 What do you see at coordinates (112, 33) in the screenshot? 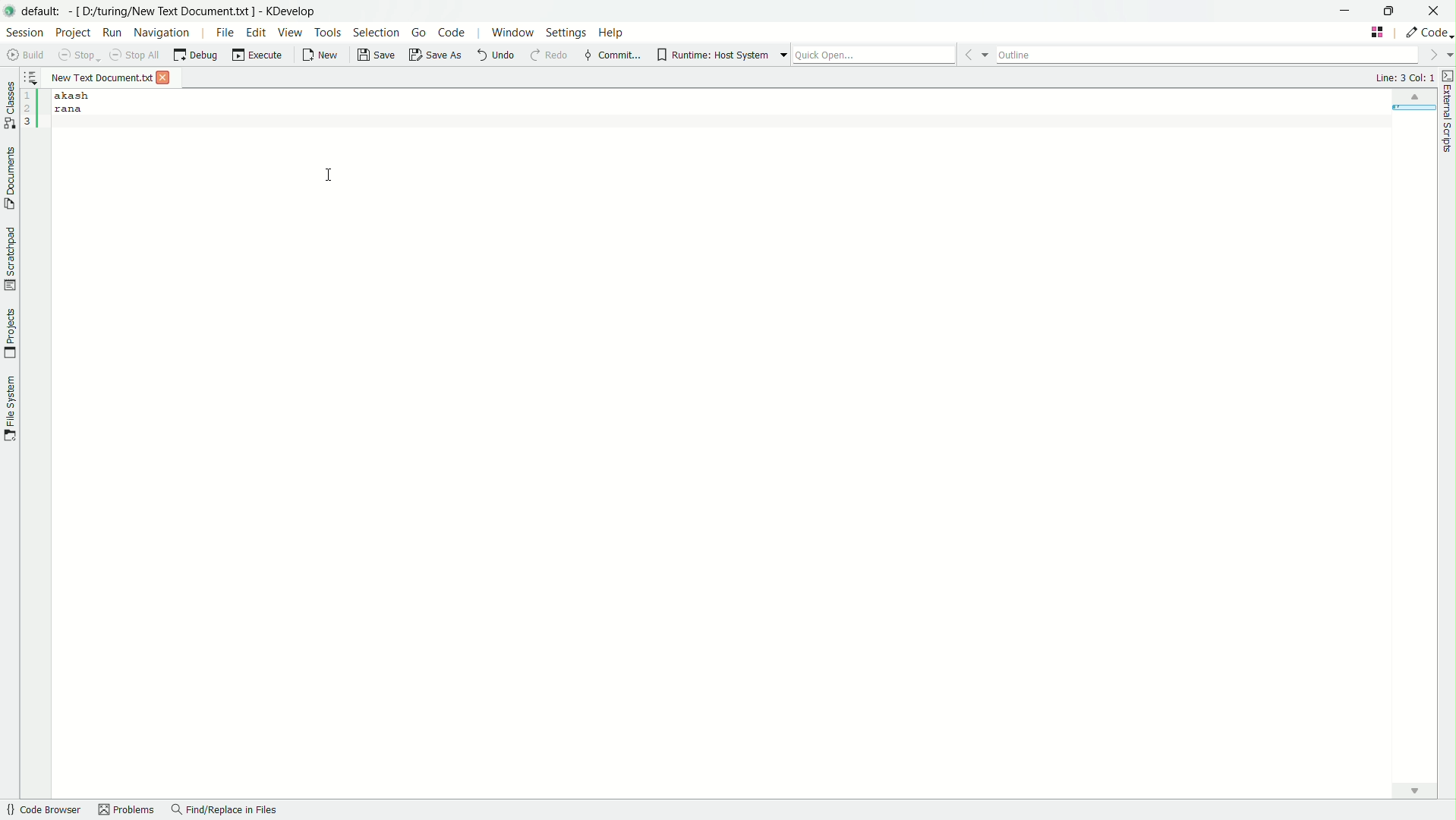
I see `run menu` at bounding box center [112, 33].